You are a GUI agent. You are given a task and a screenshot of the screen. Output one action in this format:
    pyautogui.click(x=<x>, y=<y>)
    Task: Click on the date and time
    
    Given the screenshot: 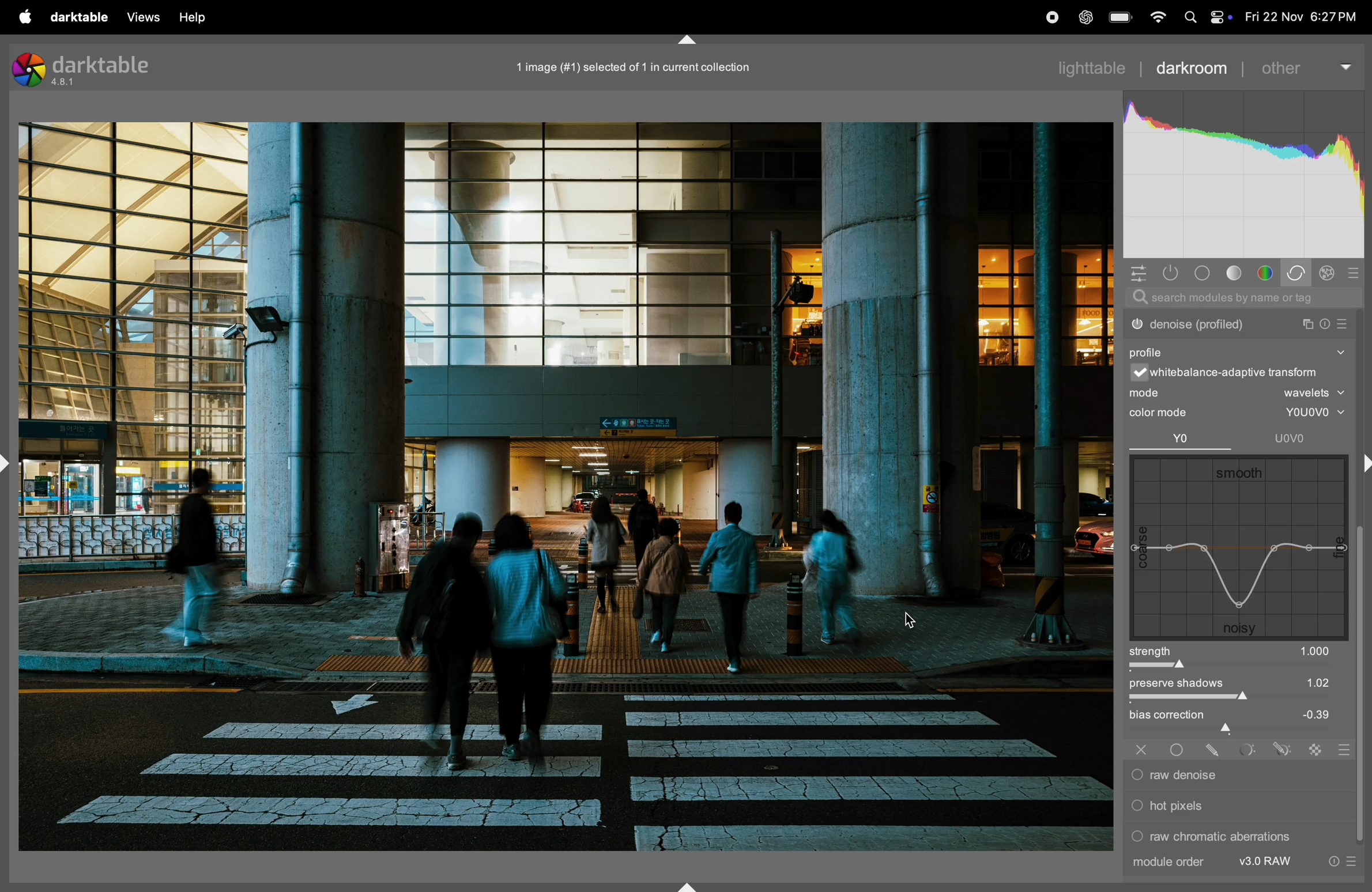 What is the action you would take?
    pyautogui.click(x=1297, y=18)
    